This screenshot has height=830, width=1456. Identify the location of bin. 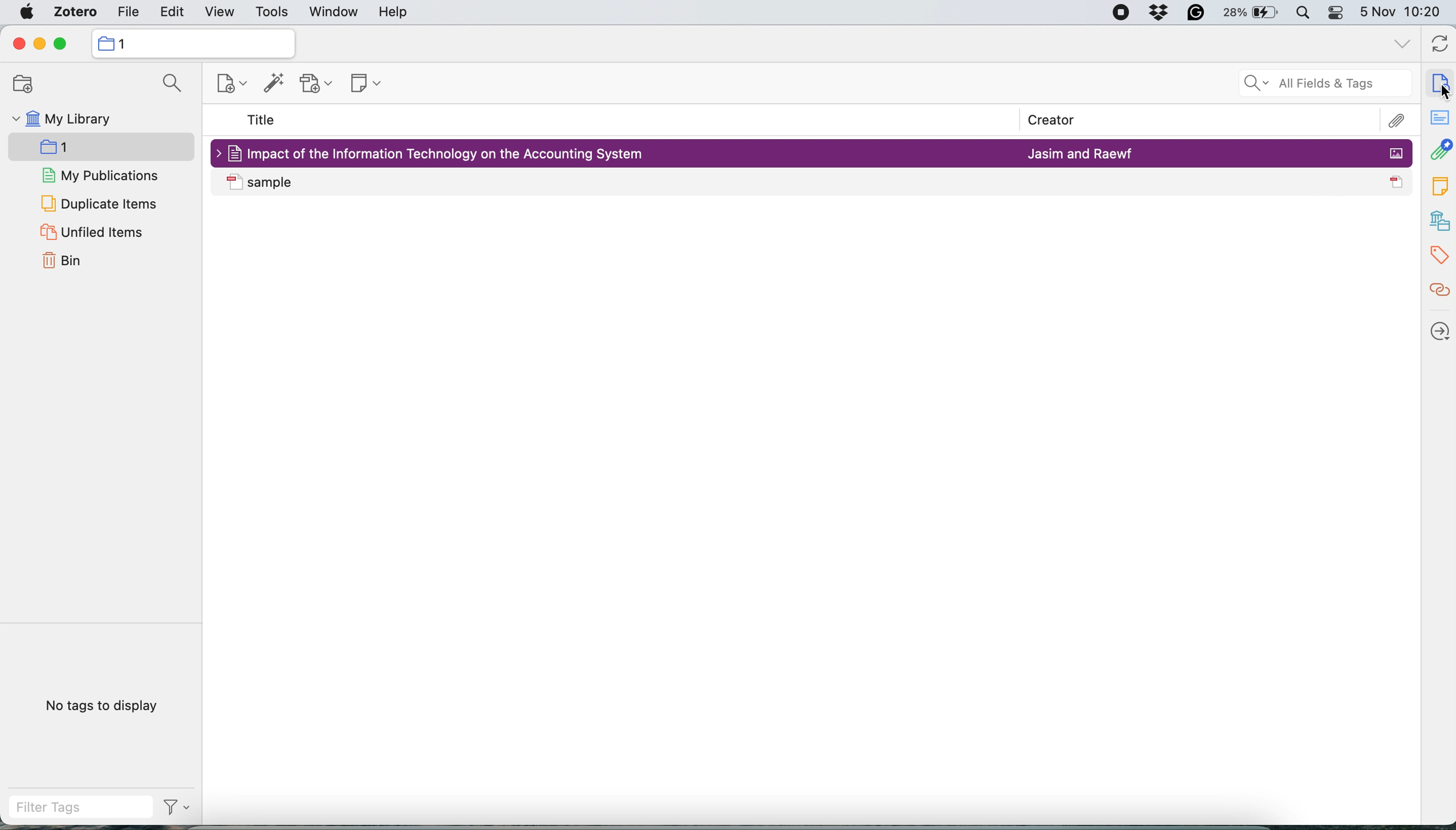
(63, 262).